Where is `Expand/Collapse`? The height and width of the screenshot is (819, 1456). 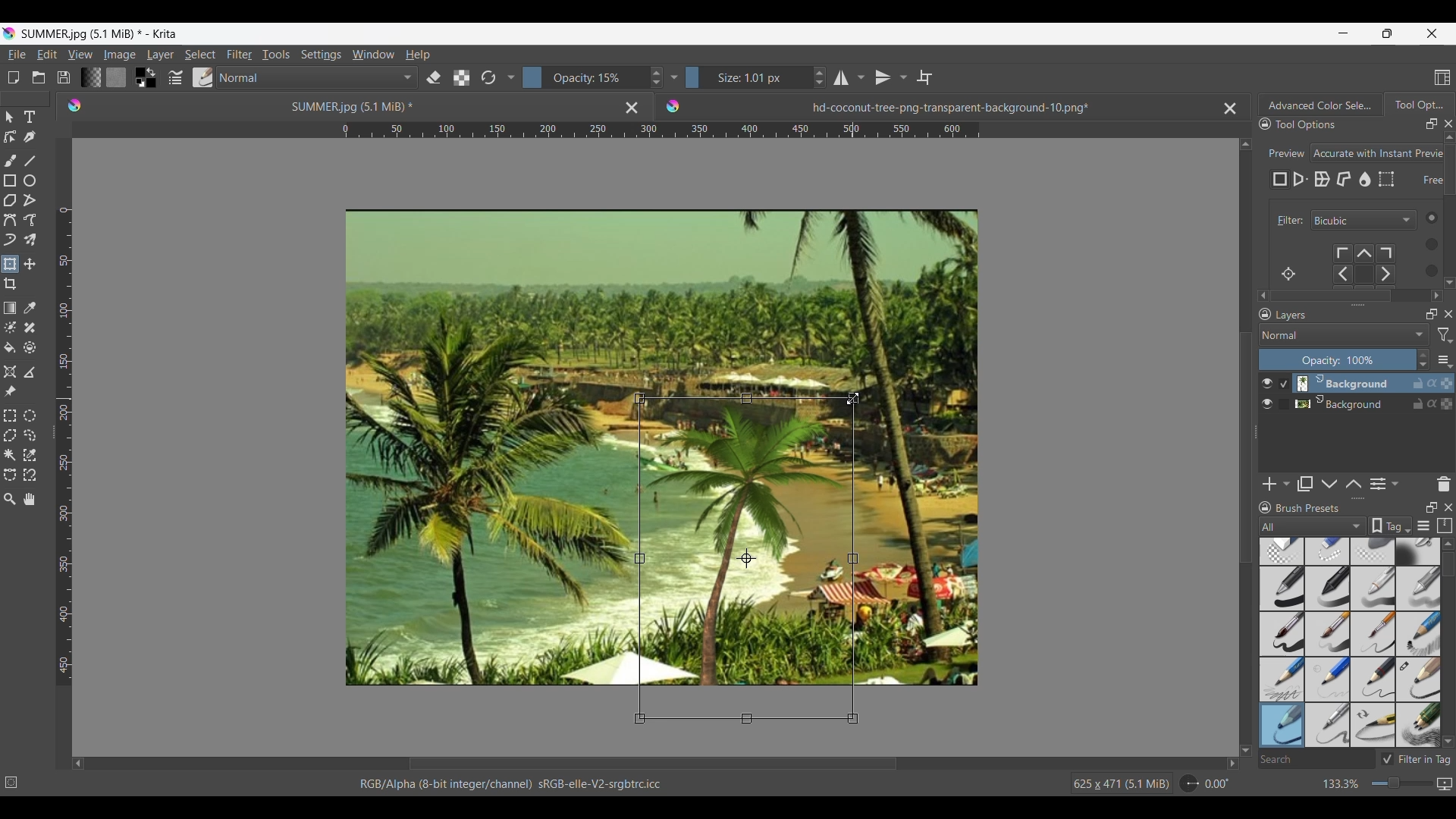 Expand/Collapse is located at coordinates (1257, 432).